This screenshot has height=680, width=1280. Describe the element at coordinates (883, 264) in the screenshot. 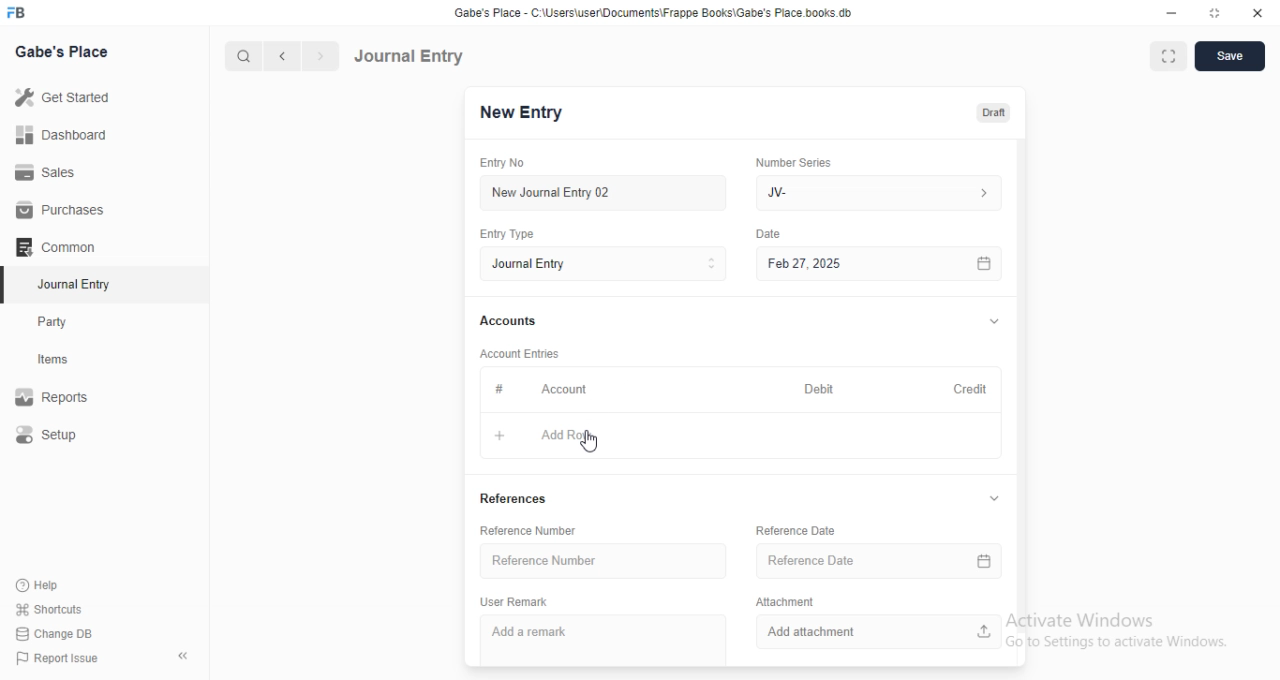

I see `Feb 27, 2025` at that location.